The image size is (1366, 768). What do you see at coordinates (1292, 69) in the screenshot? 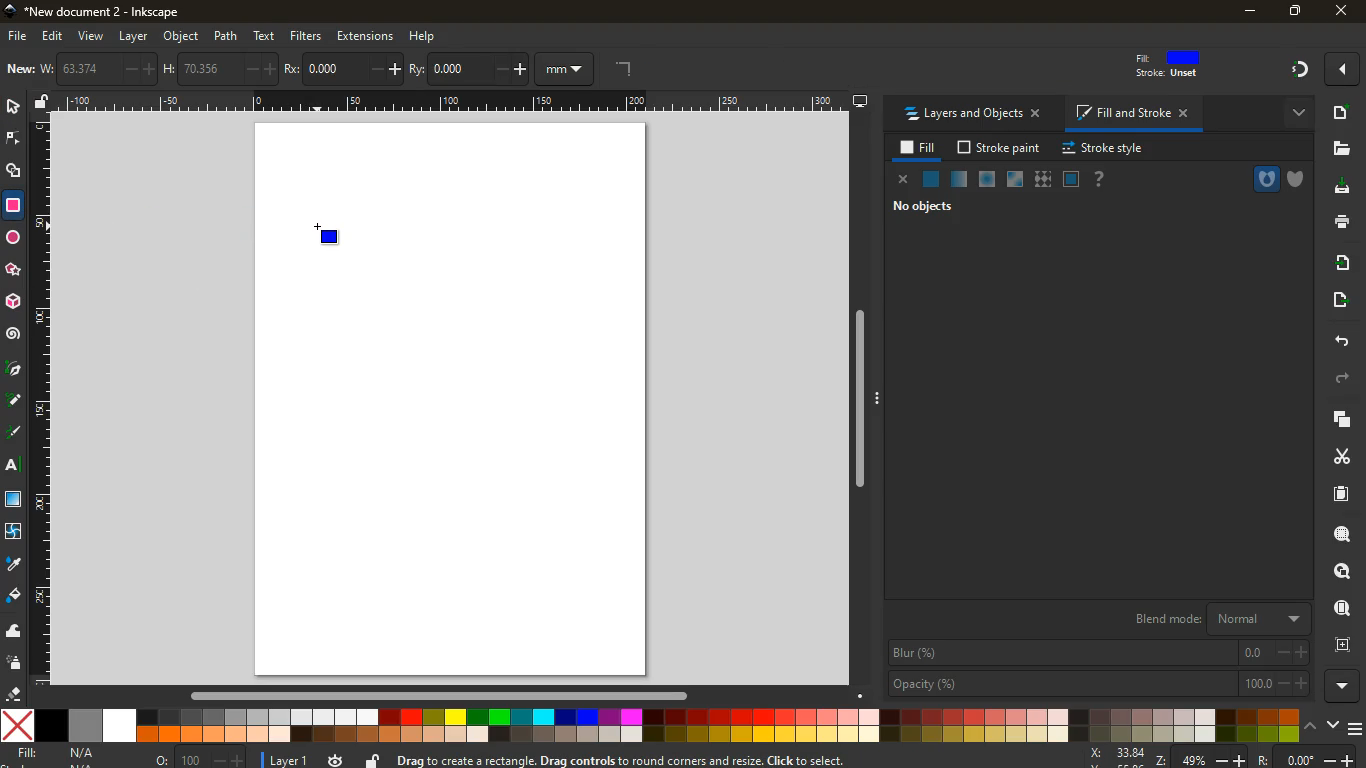
I see `` at bounding box center [1292, 69].